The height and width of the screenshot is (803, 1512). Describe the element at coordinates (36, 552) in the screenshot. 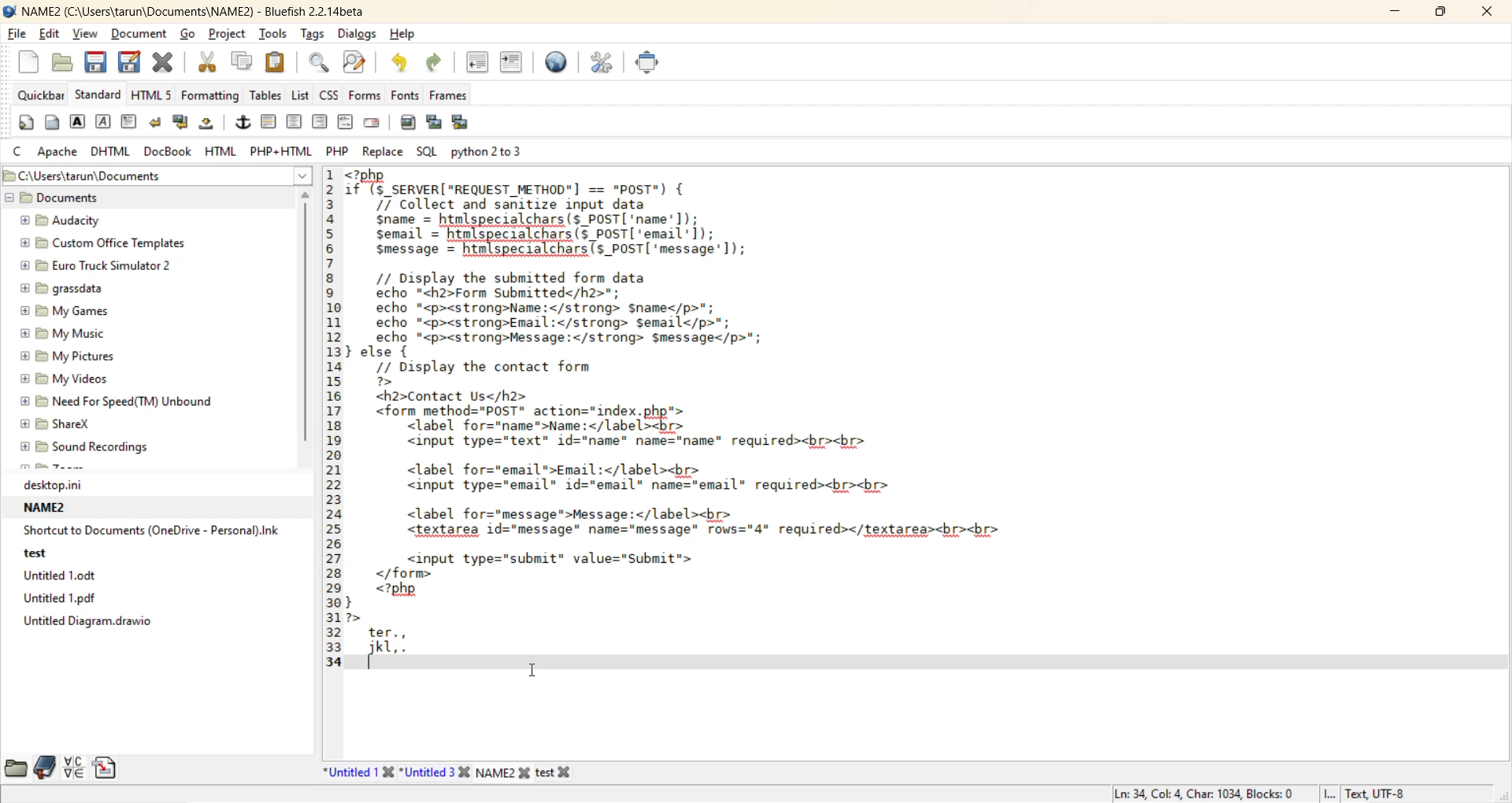

I see `test` at that location.